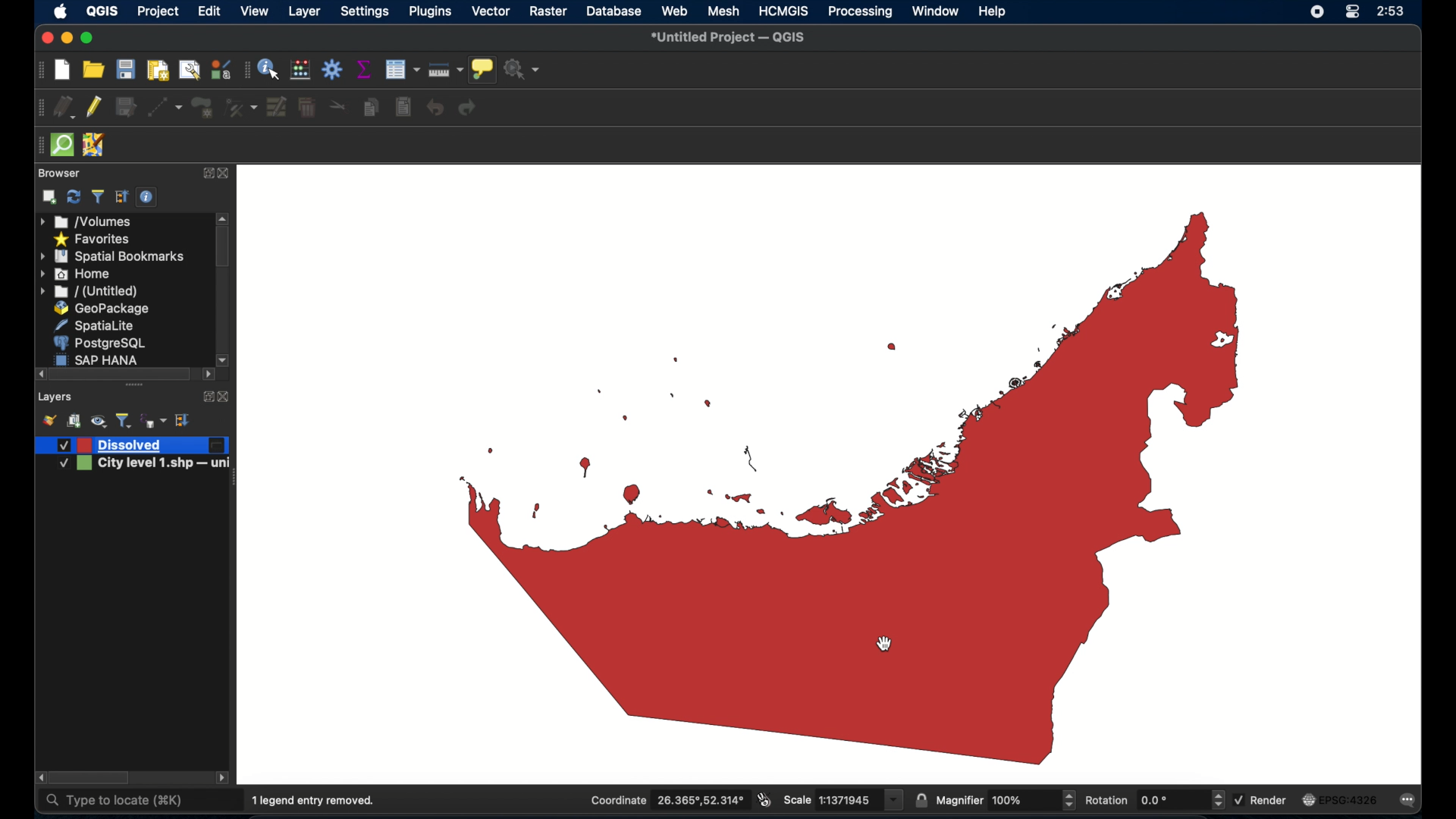  Describe the element at coordinates (723, 12) in the screenshot. I see `mesh` at that location.